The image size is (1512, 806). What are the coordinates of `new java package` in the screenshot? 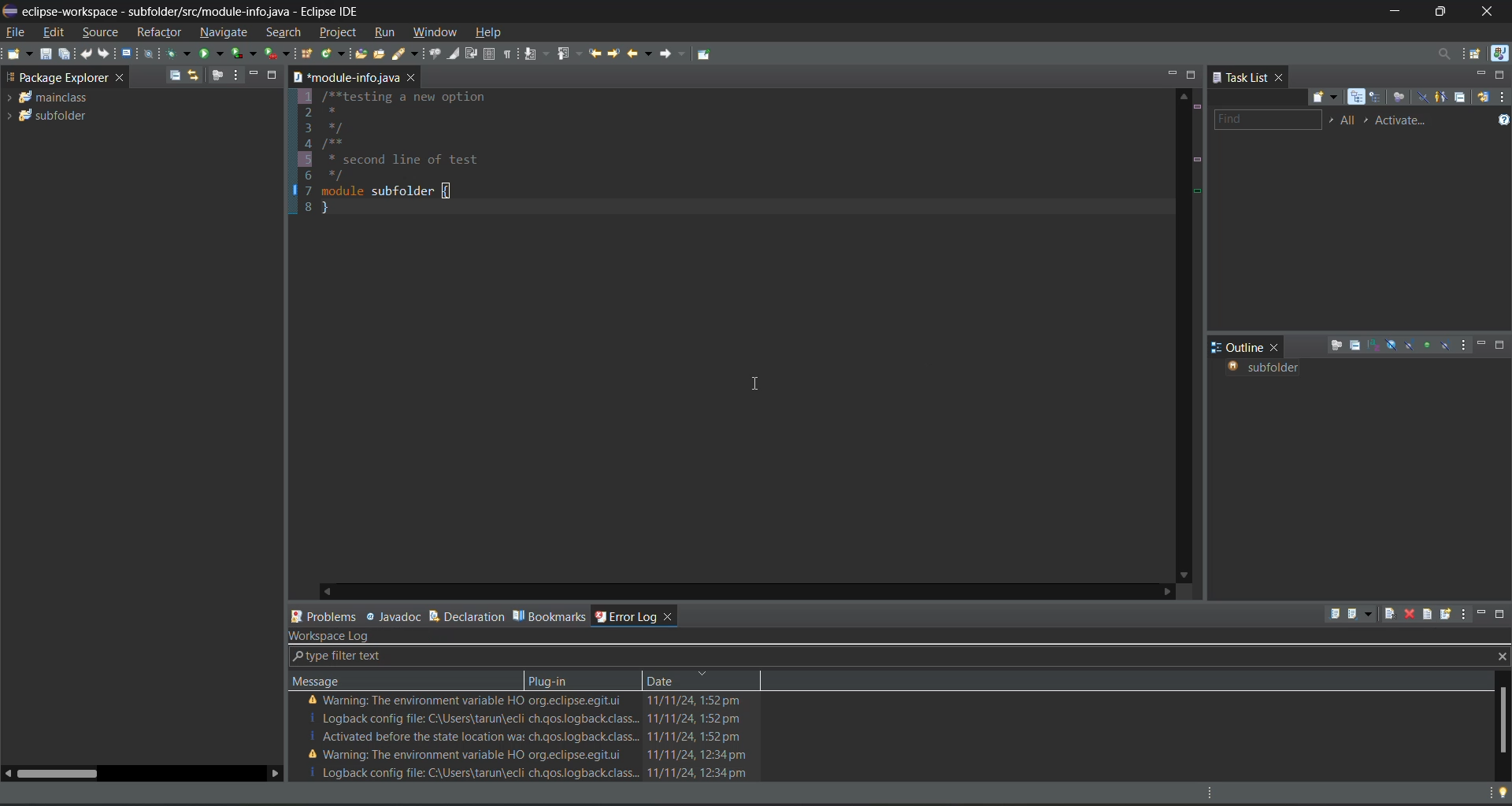 It's located at (308, 53).